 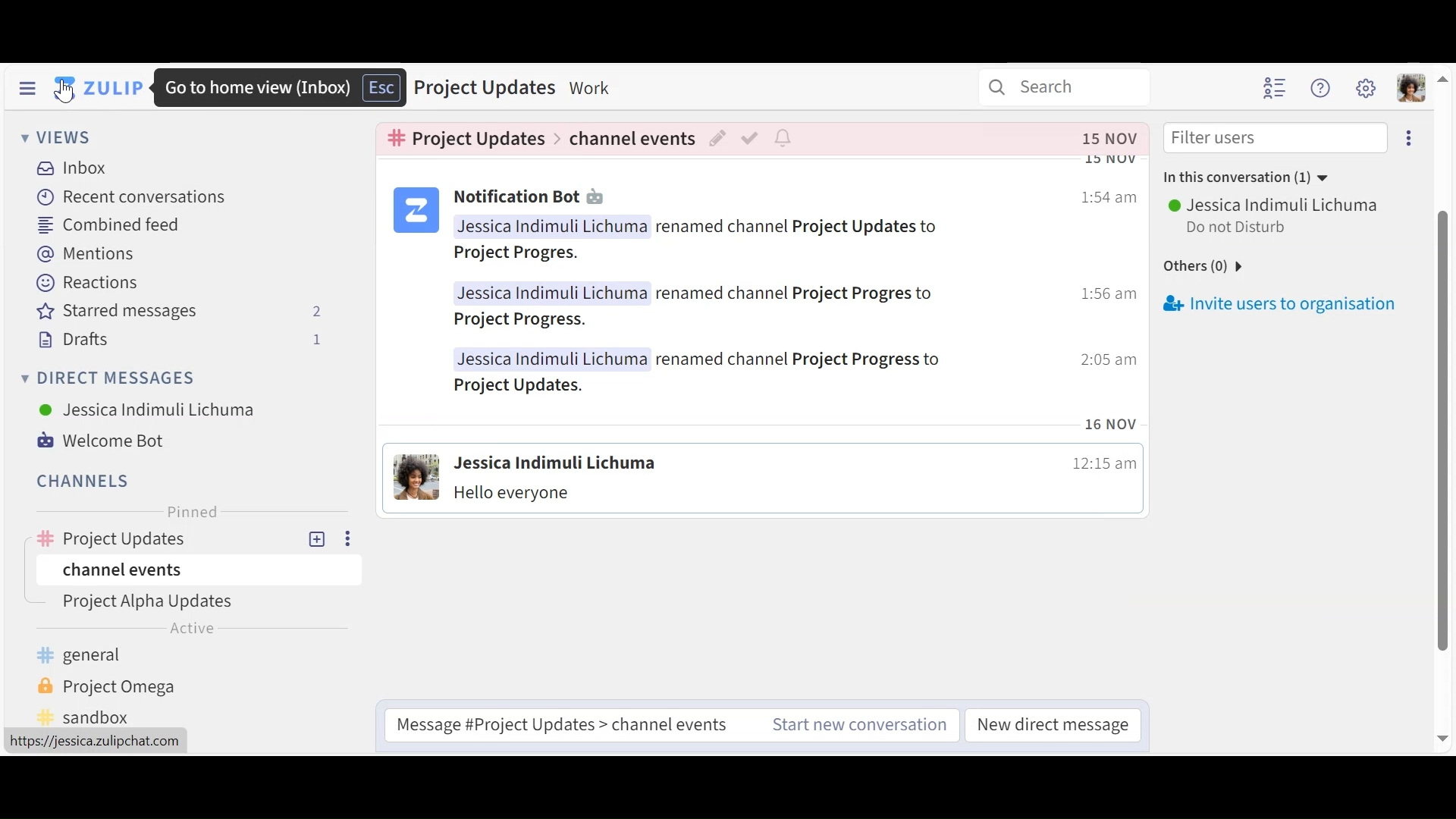 What do you see at coordinates (74, 167) in the screenshot?
I see `Inbox` at bounding box center [74, 167].